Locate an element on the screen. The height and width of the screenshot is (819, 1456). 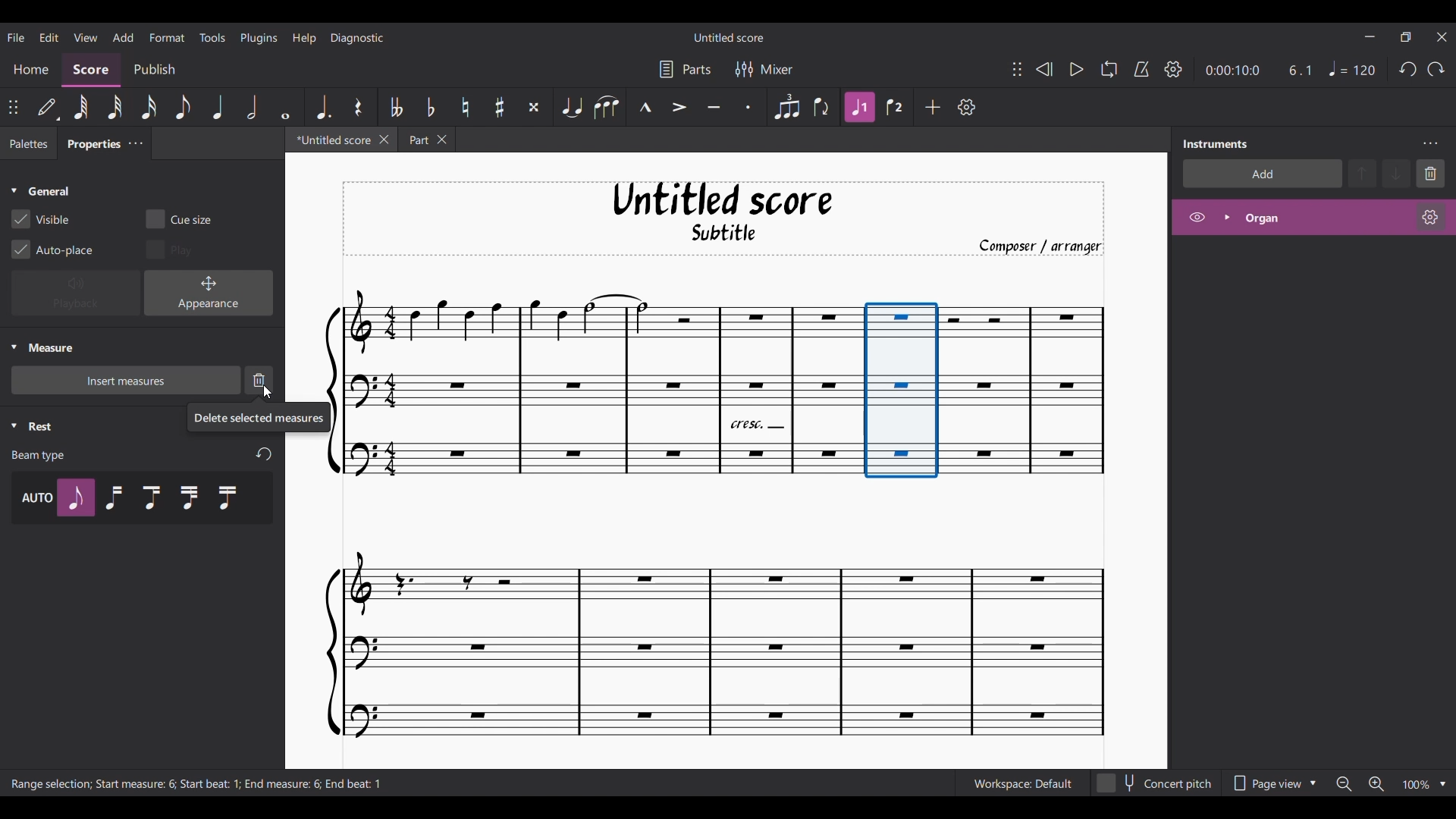
Looping playback  is located at coordinates (1109, 69).